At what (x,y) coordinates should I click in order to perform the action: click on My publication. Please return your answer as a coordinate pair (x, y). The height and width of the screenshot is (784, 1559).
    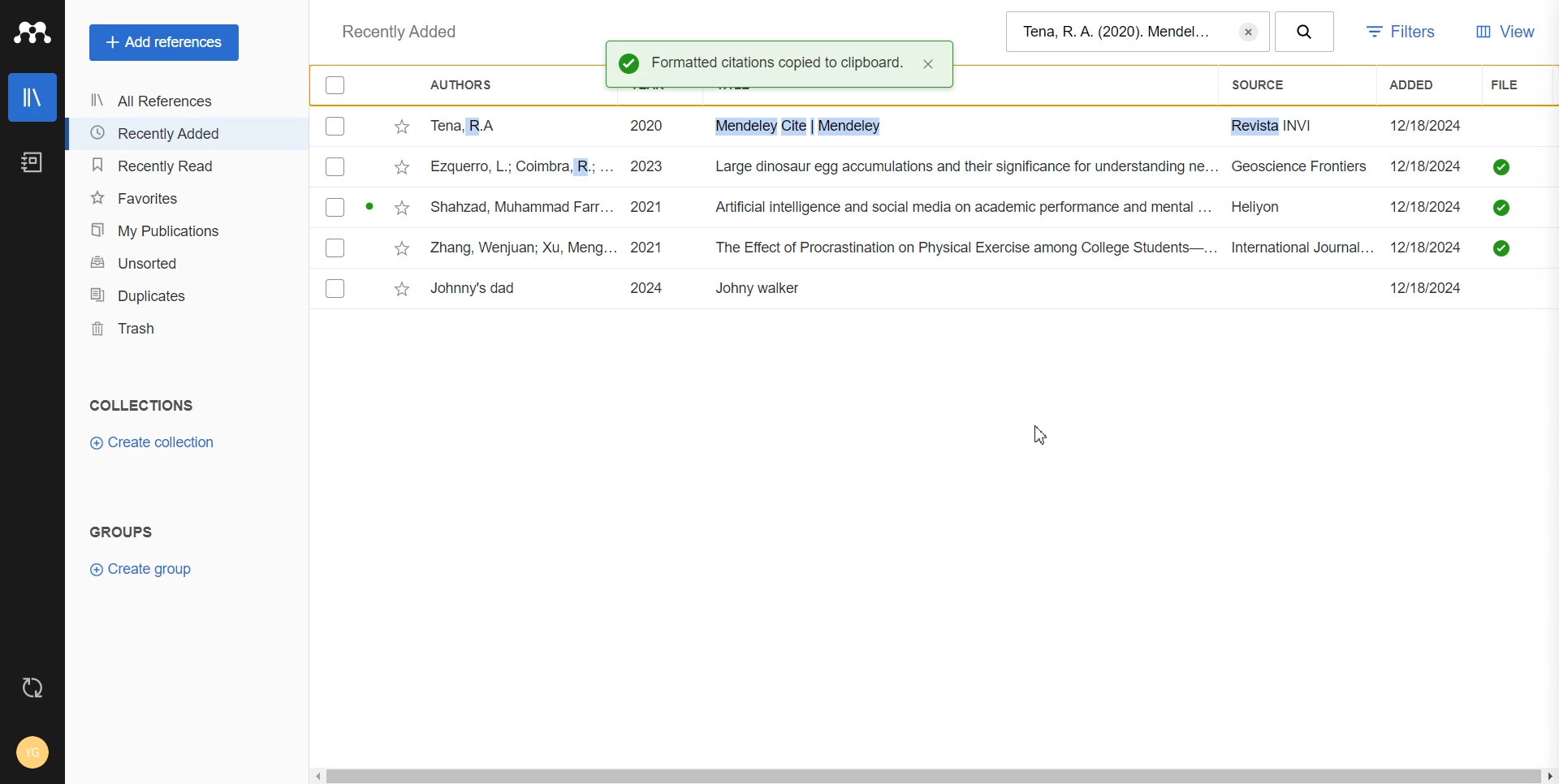
    Looking at the image, I should click on (187, 230).